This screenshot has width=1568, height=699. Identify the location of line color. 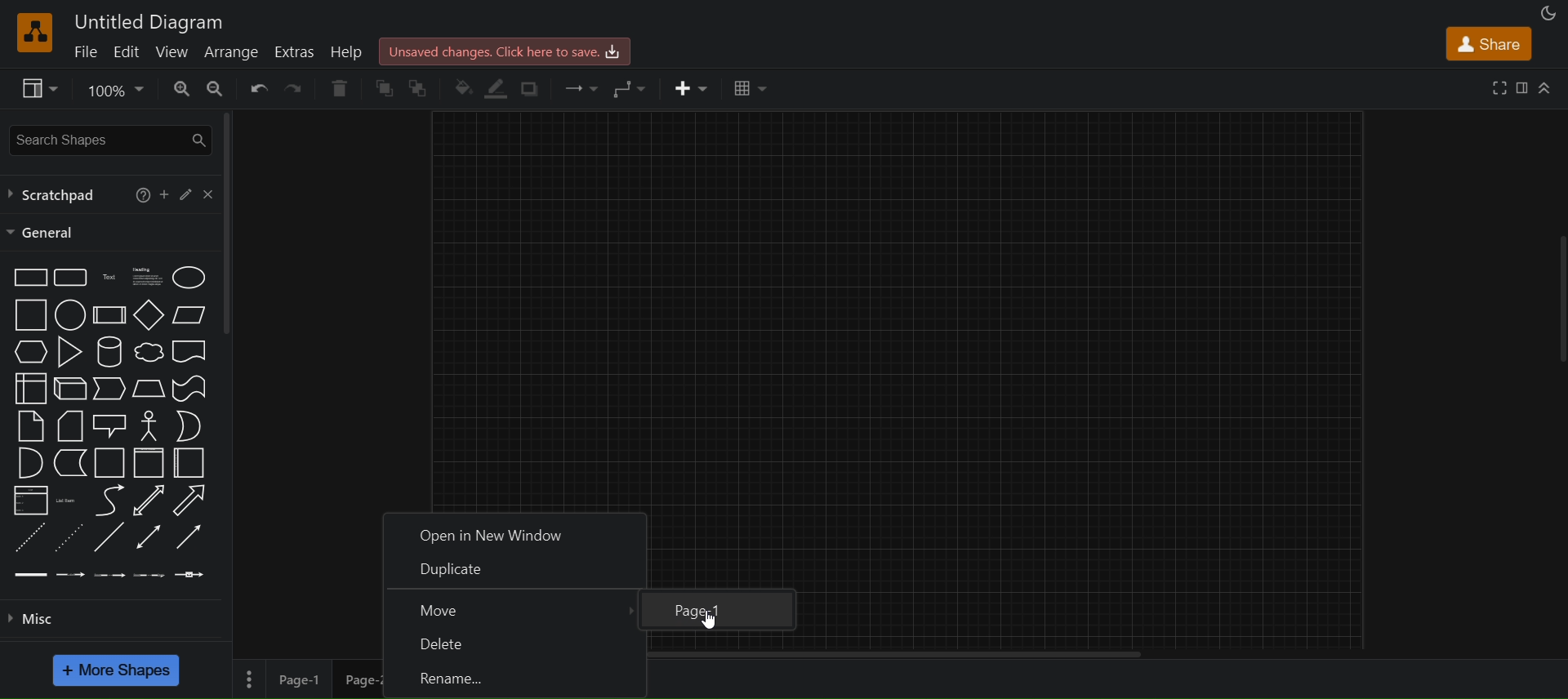
(497, 87).